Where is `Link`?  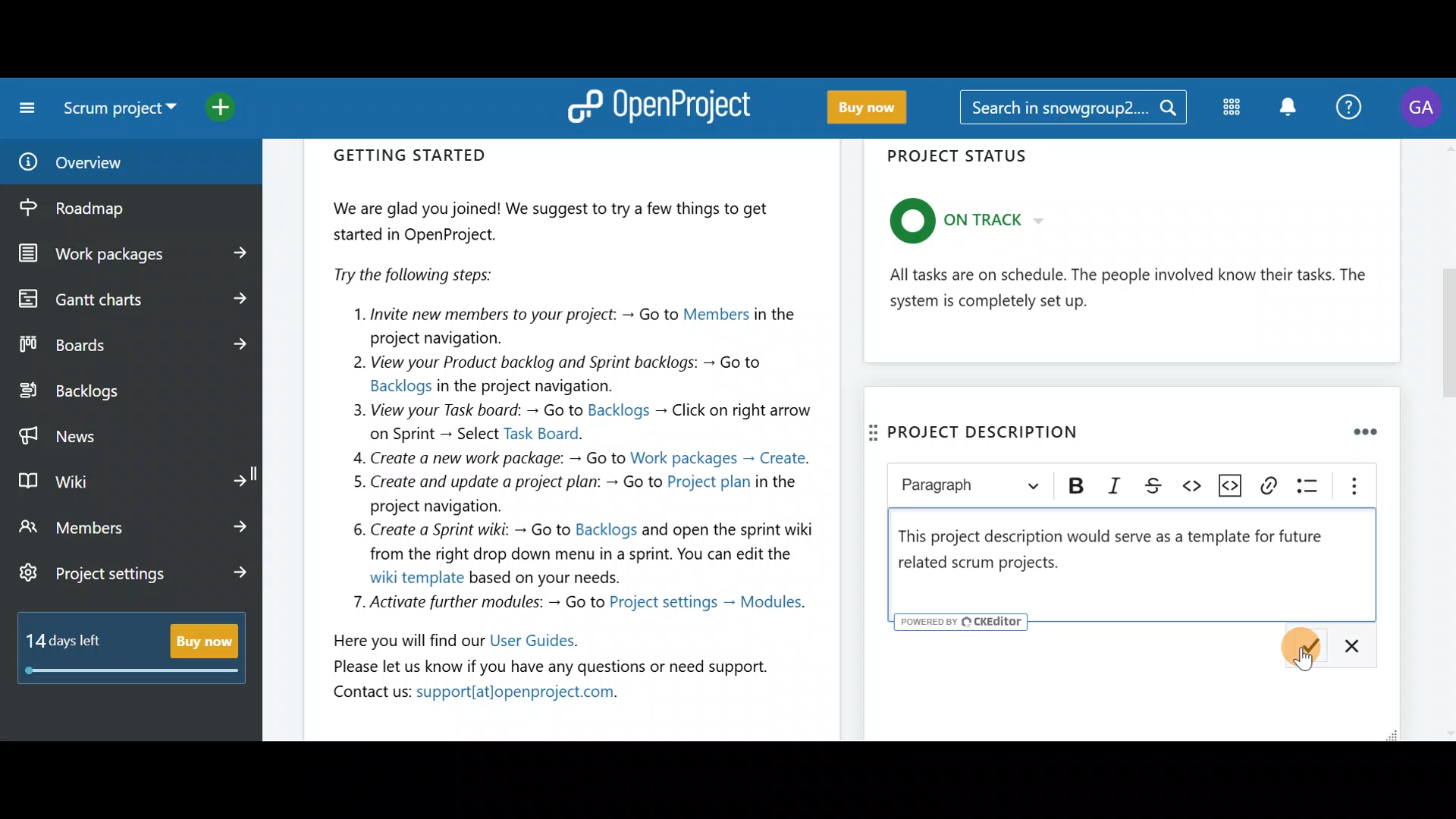
Link is located at coordinates (1273, 492).